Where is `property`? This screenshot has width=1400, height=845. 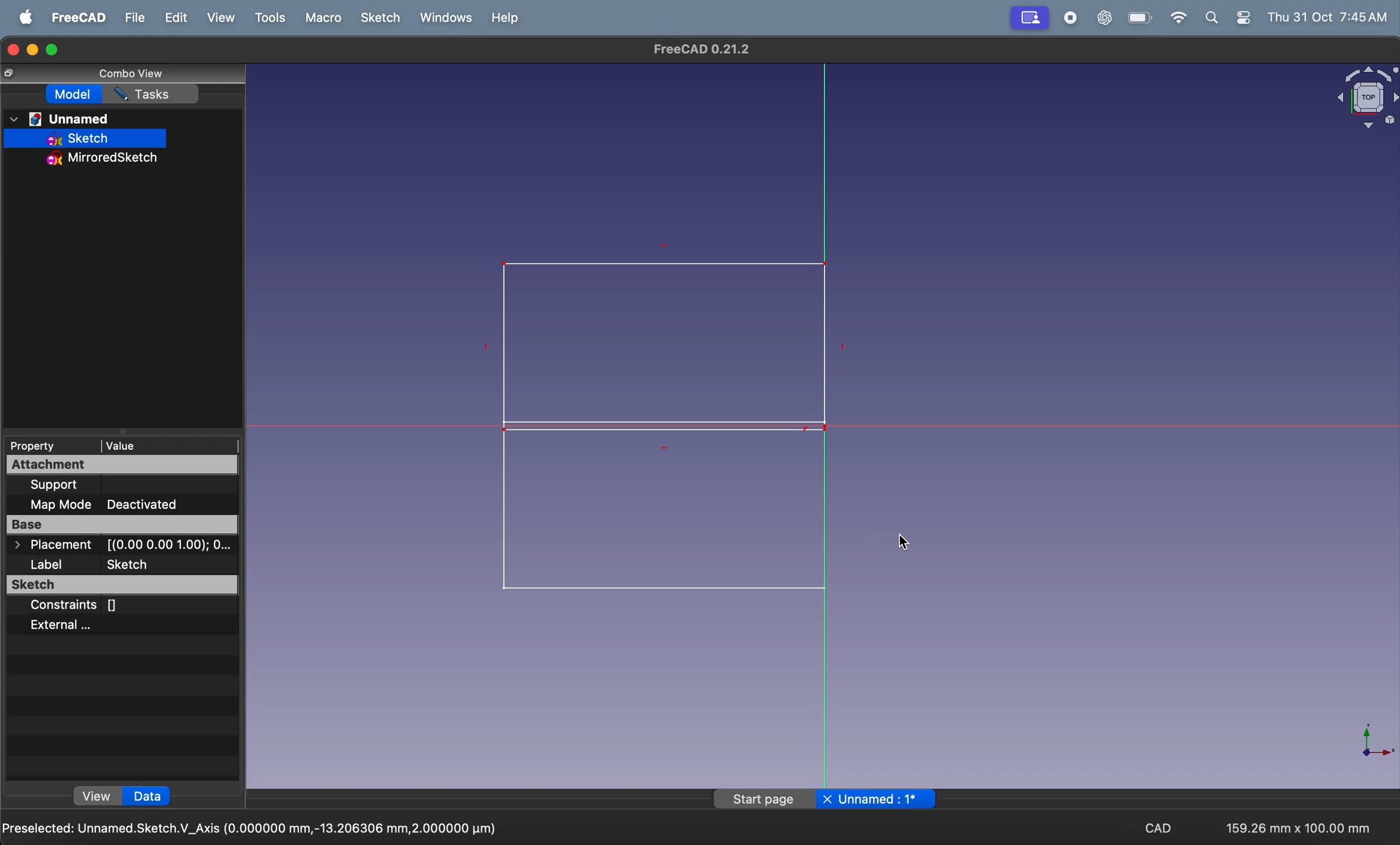 property is located at coordinates (38, 444).